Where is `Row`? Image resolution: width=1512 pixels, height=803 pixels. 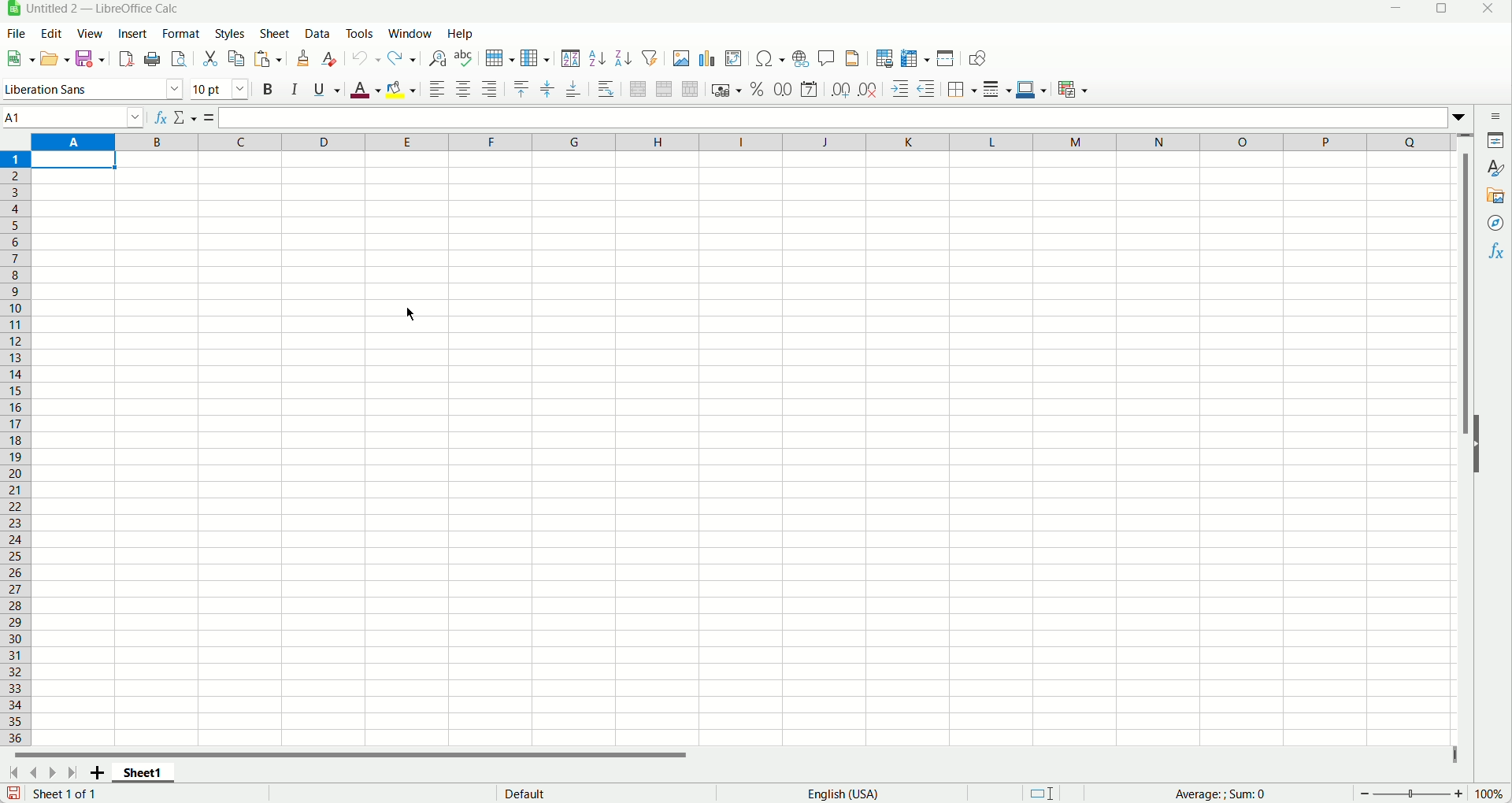 Row is located at coordinates (498, 57).